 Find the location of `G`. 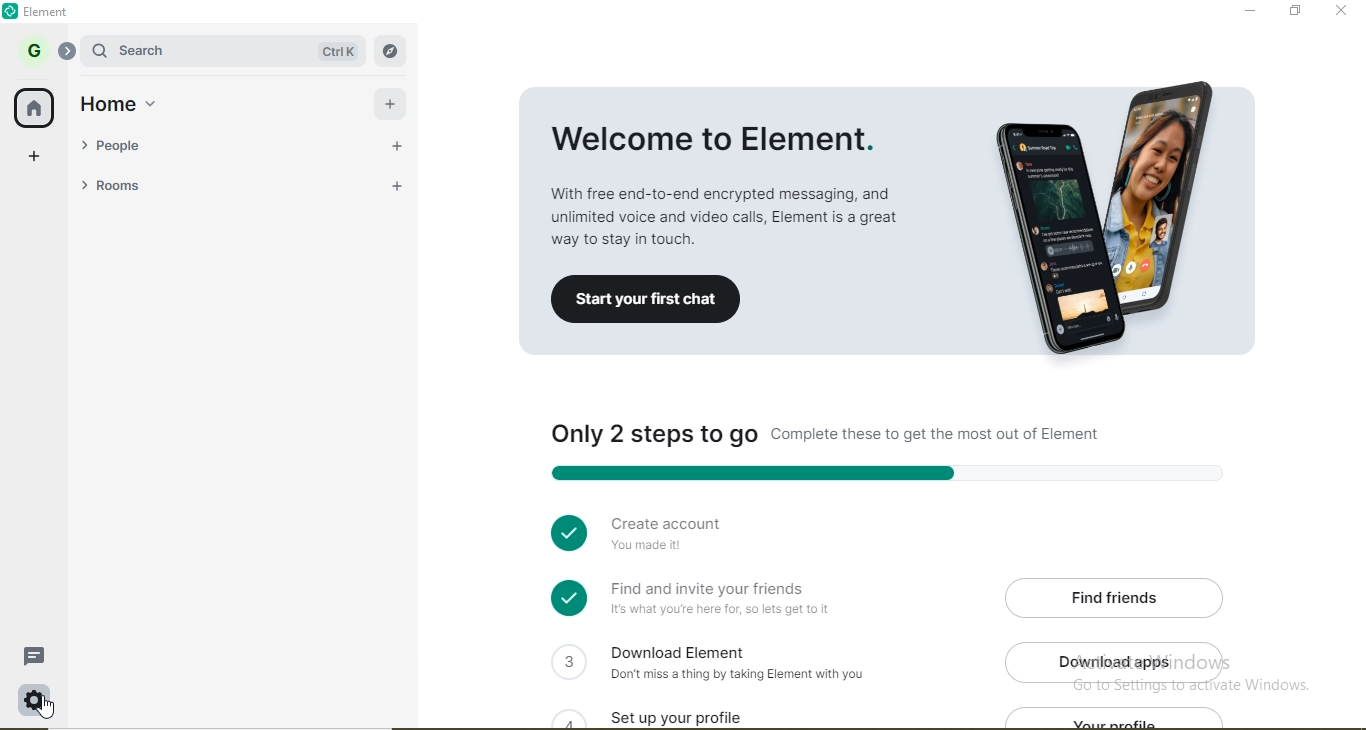

G is located at coordinates (33, 50).